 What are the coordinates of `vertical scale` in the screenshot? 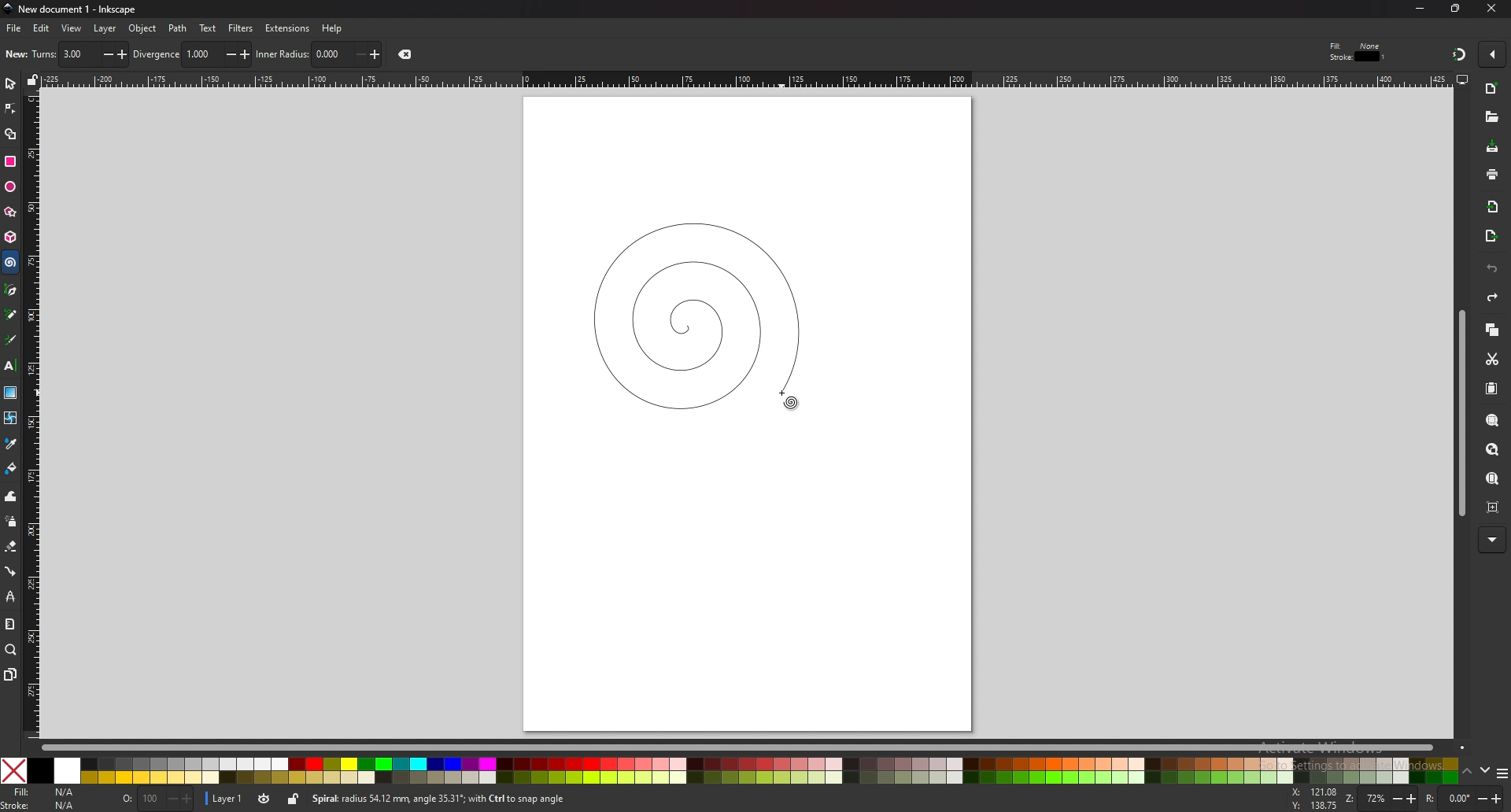 It's located at (31, 414).